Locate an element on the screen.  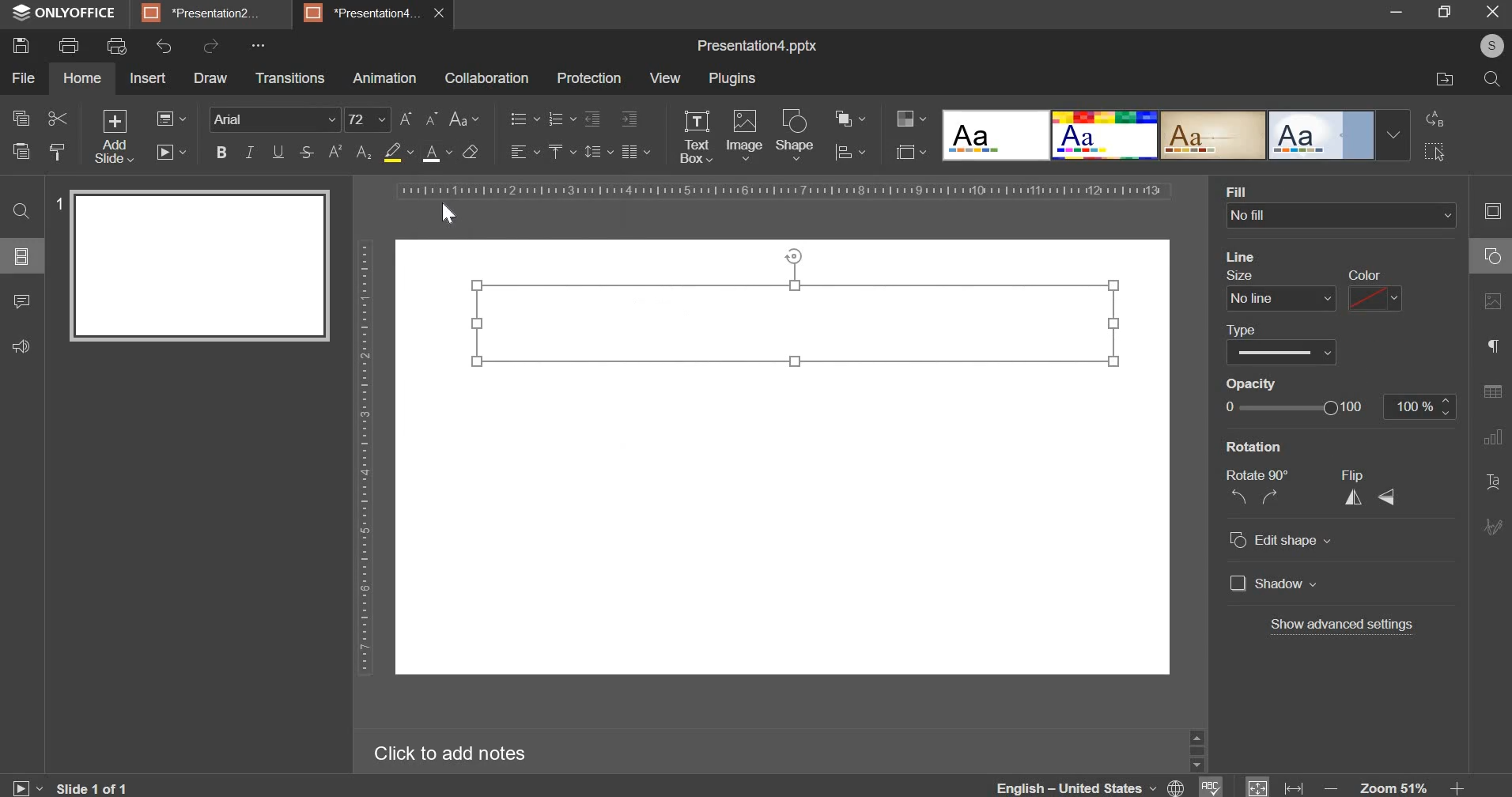
ONLYOFFICE is located at coordinates (81, 13).